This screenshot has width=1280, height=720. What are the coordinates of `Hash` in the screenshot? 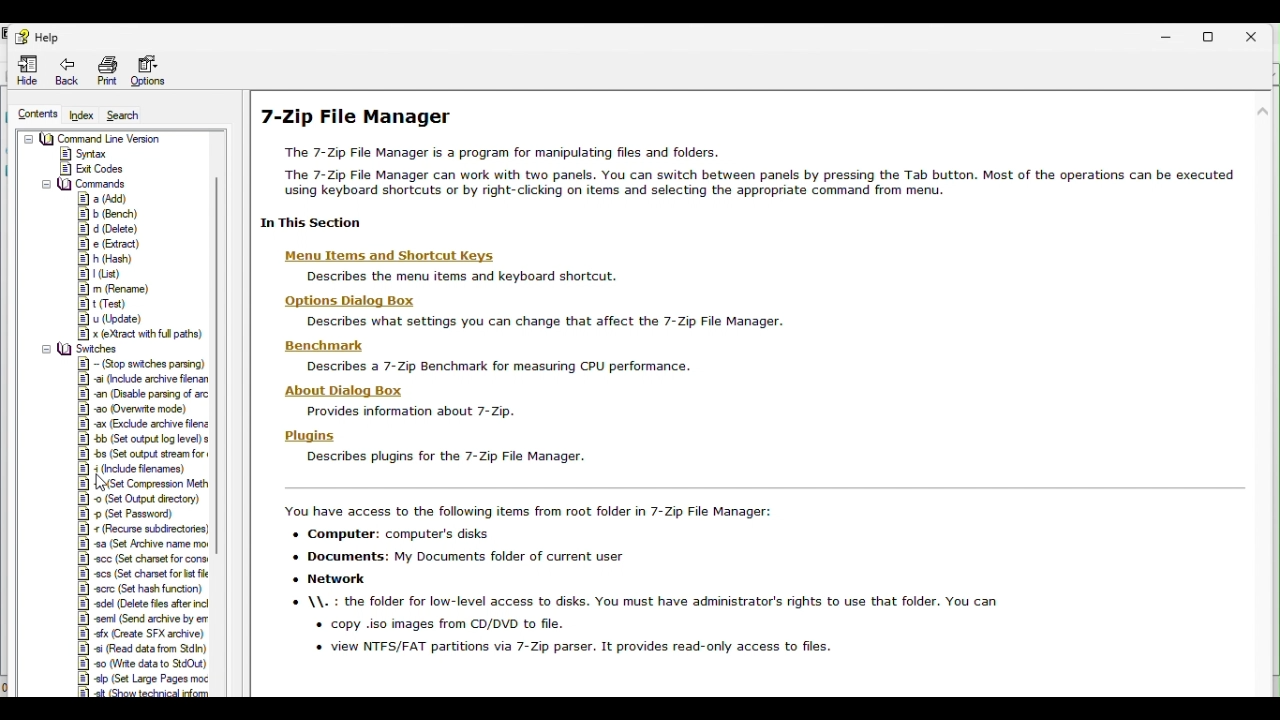 It's located at (106, 260).